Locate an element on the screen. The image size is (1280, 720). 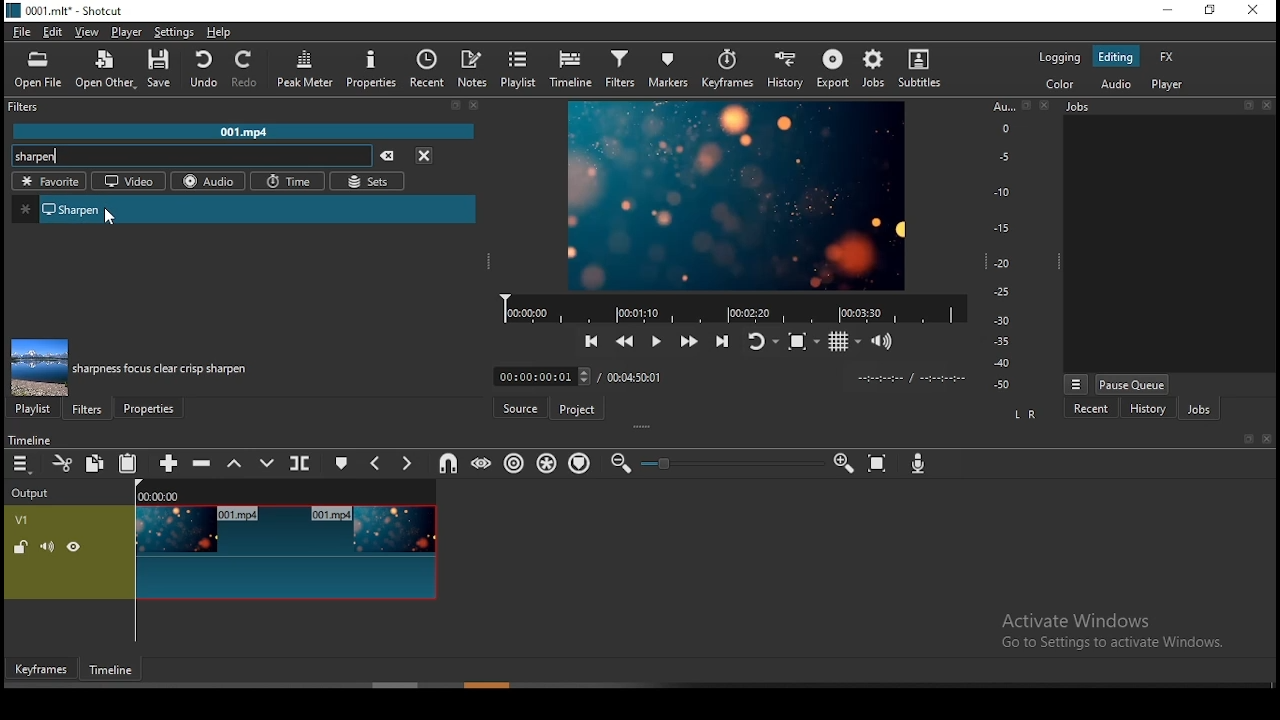
Output is located at coordinates (34, 493).